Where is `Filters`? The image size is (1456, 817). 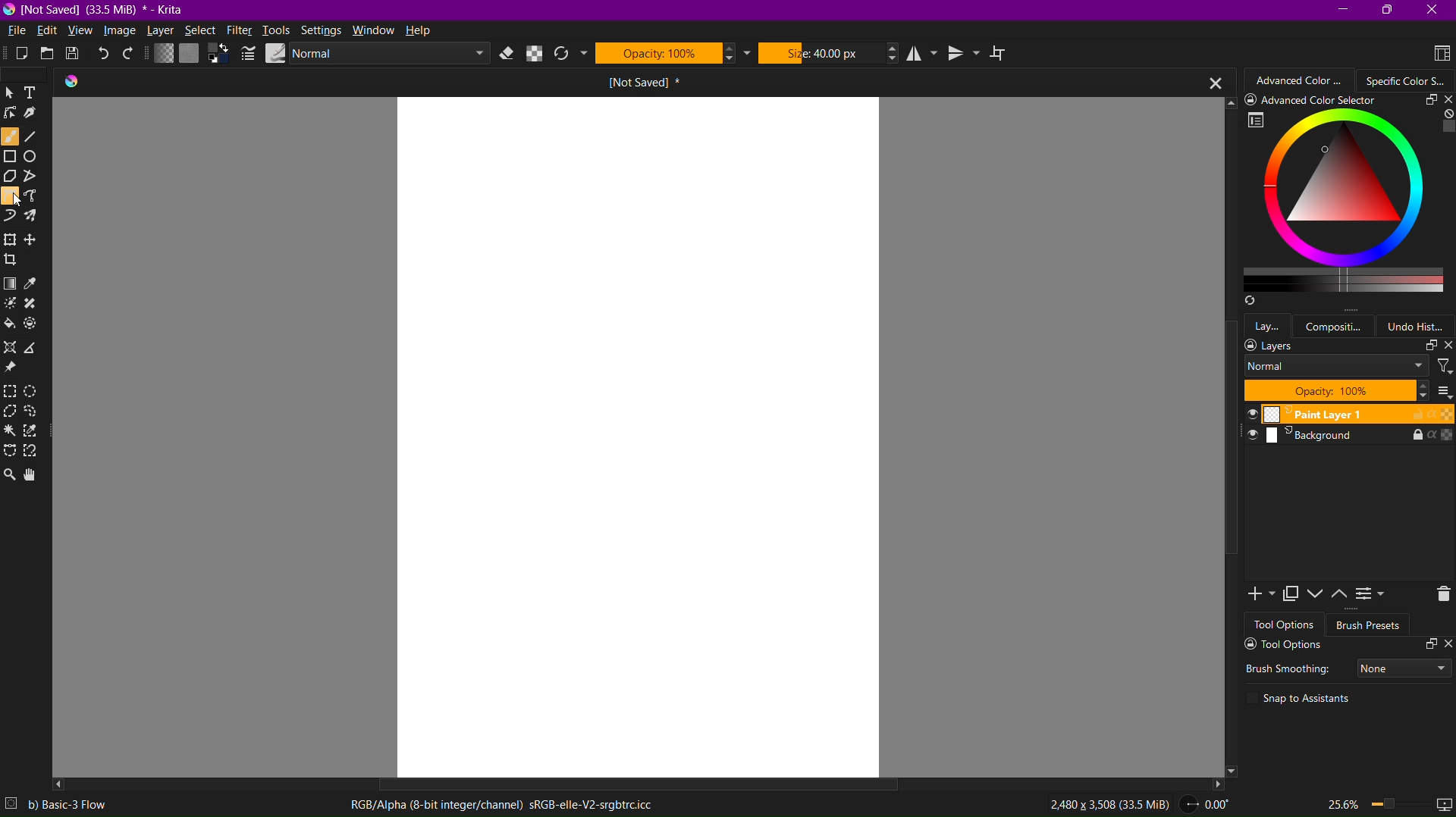
Filters is located at coordinates (1444, 365).